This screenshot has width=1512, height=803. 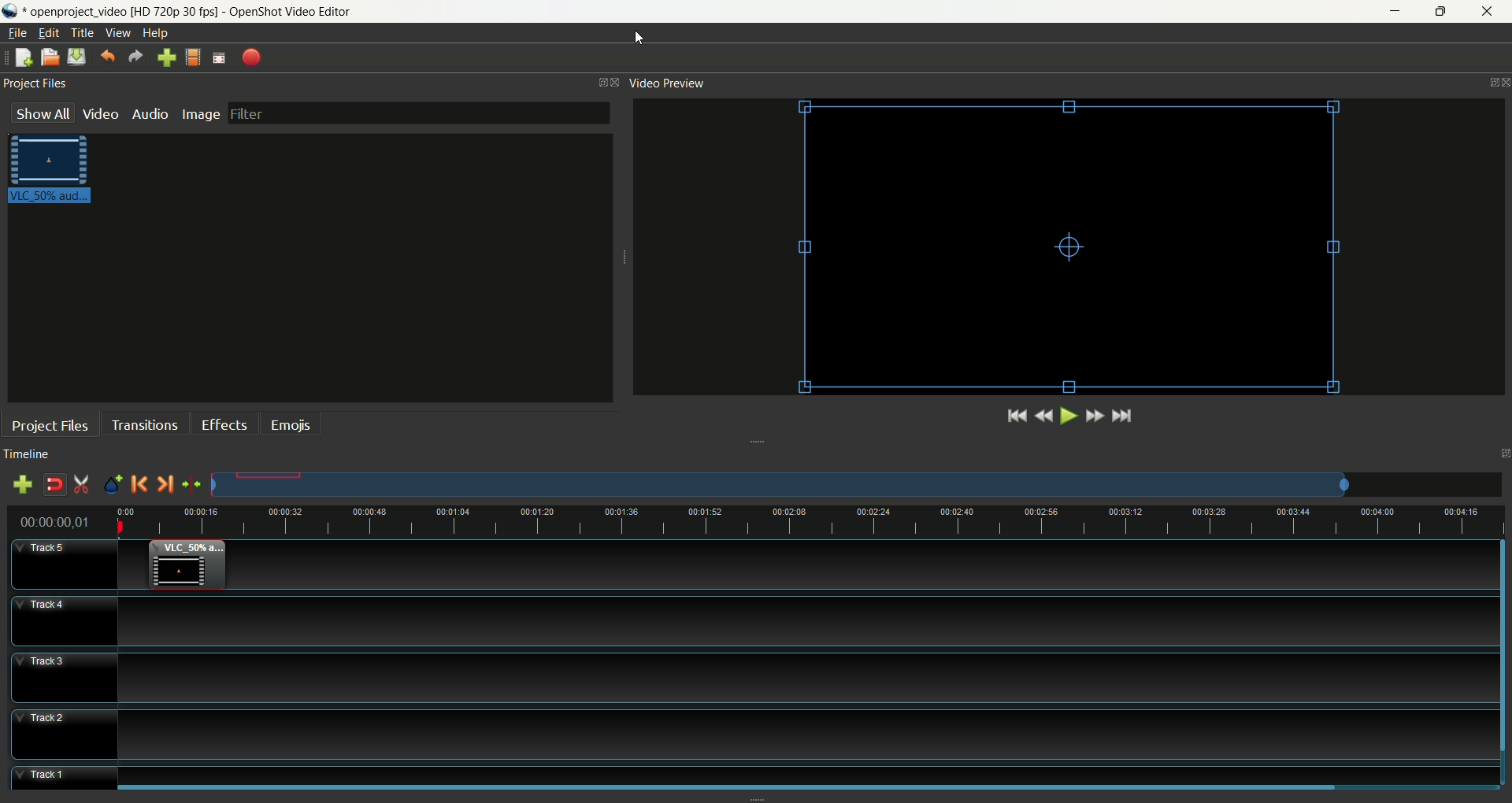 What do you see at coordinates (35, 83) in the screenshot?
I see `project files` at bounding box center [35, 83].